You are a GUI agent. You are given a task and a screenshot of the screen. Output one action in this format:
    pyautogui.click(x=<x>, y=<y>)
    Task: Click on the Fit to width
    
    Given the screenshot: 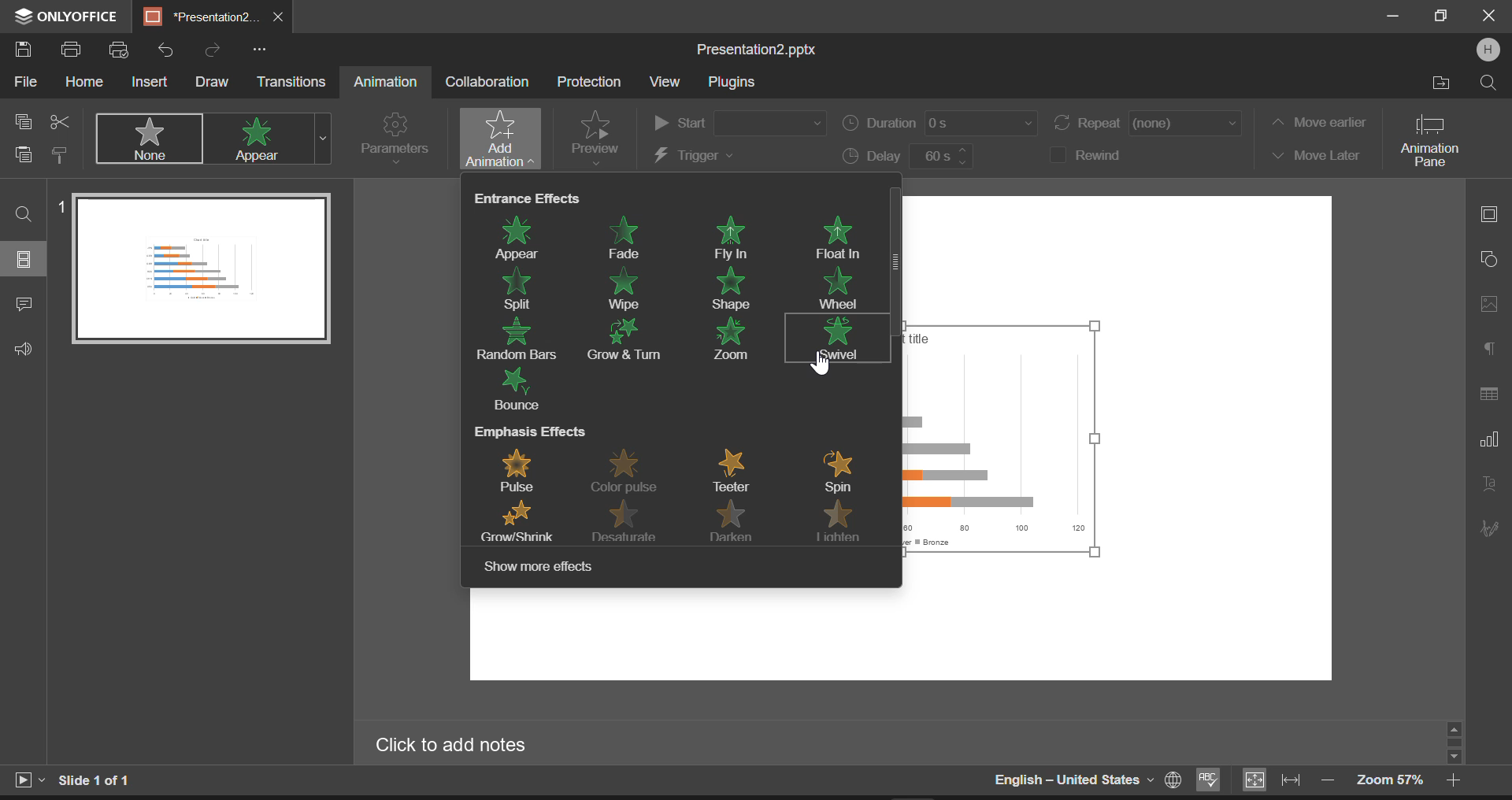 What is the action you would take?
    pyautogui.click(x=1291, y=780)
    